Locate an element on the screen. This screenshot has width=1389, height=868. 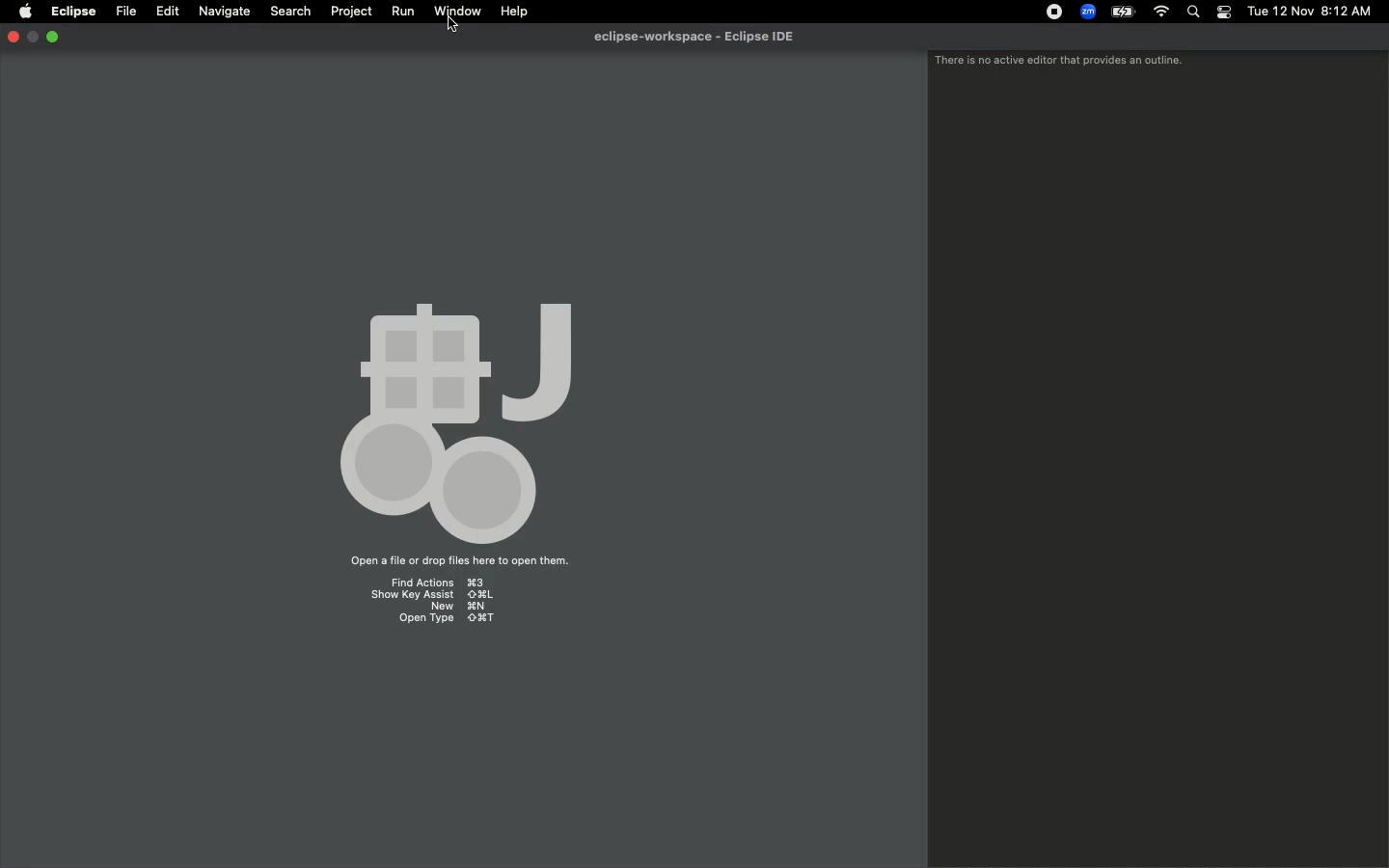
Help is located at coordinates (515, 12).